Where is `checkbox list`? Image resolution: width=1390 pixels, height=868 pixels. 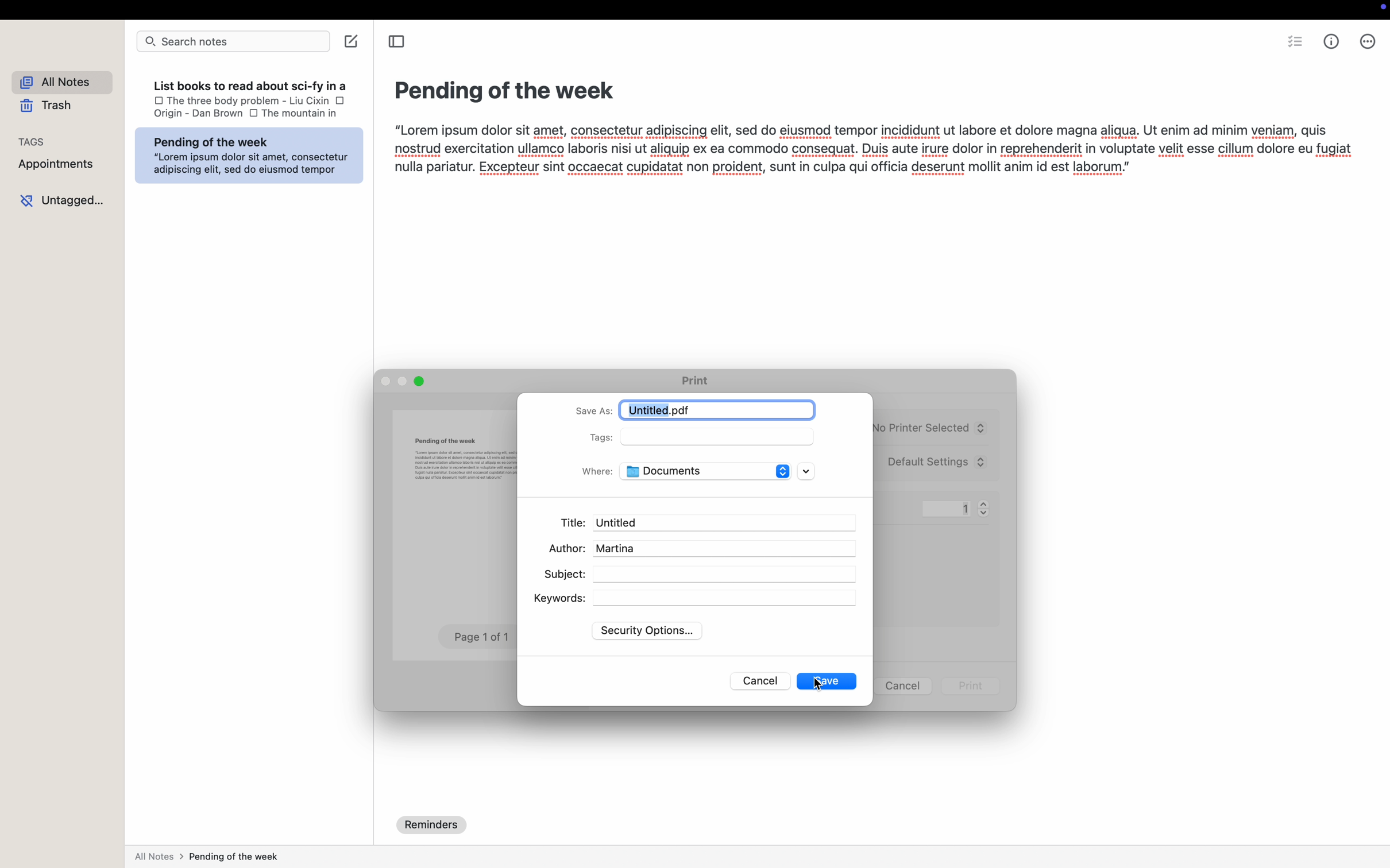
checkbox list is located at coordinates (1295, 44).